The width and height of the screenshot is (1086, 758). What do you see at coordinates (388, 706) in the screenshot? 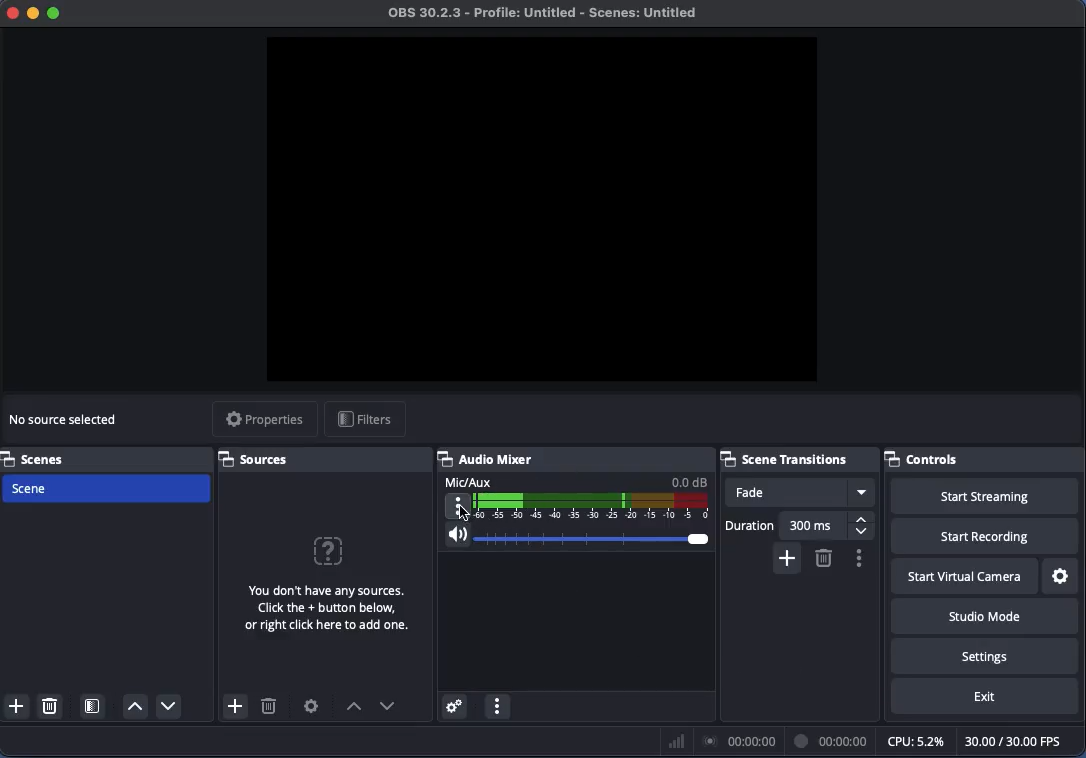
I see `Move down` at bounding box center [388, 706].